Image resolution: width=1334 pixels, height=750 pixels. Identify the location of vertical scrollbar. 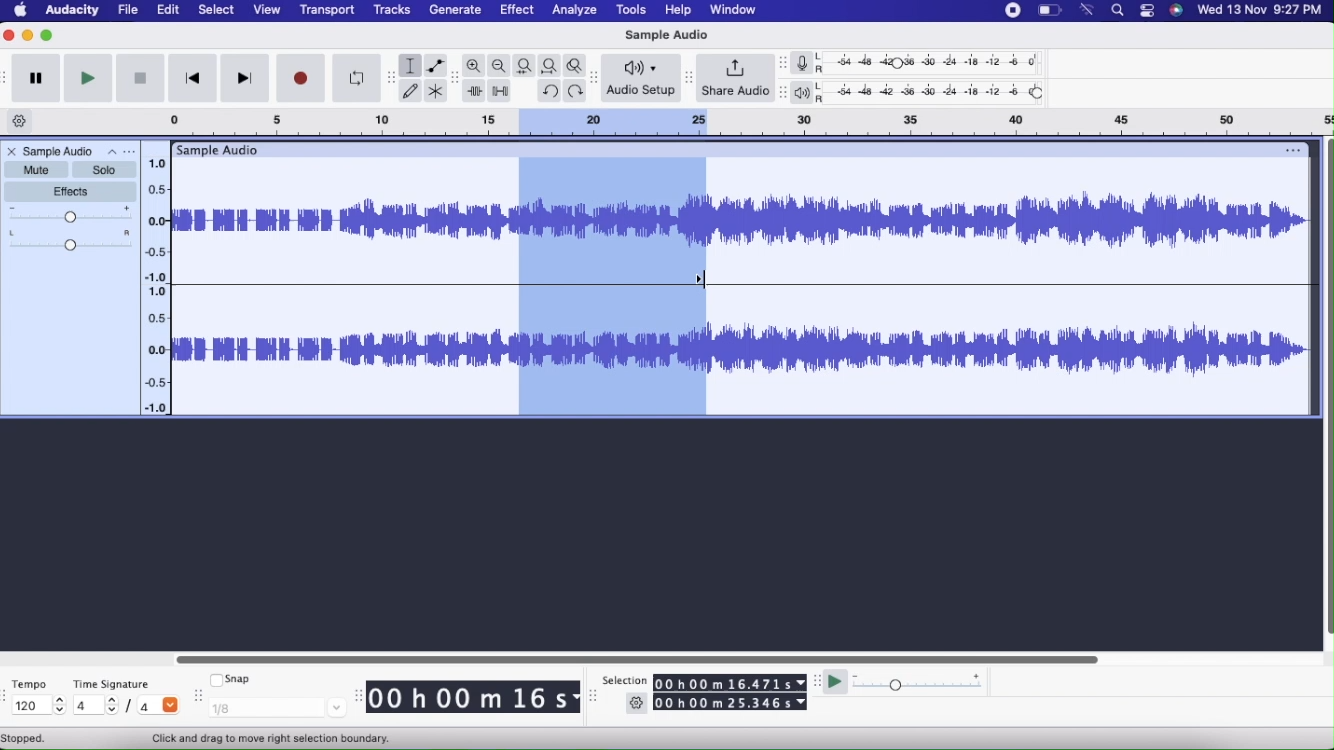
(1326, 389).